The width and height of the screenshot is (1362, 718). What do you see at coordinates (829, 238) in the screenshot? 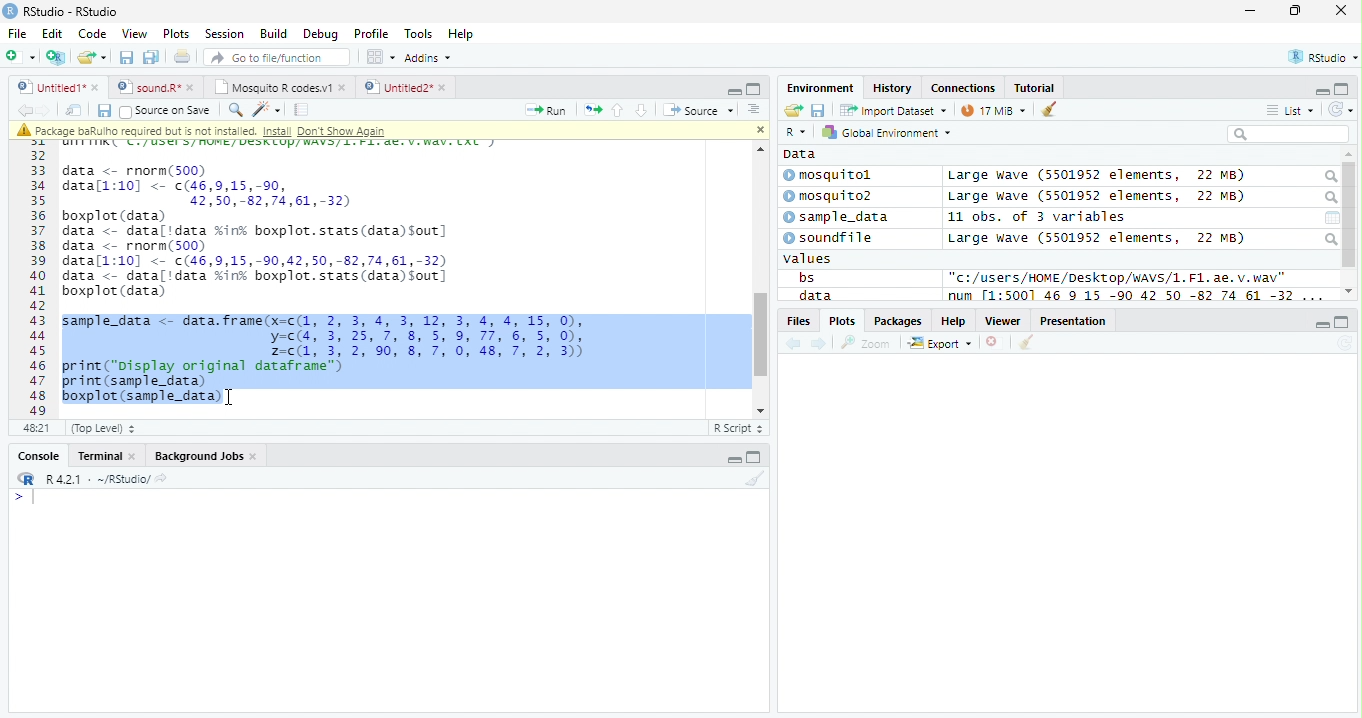
I see `soundfile` at bounding box center [829, 238].